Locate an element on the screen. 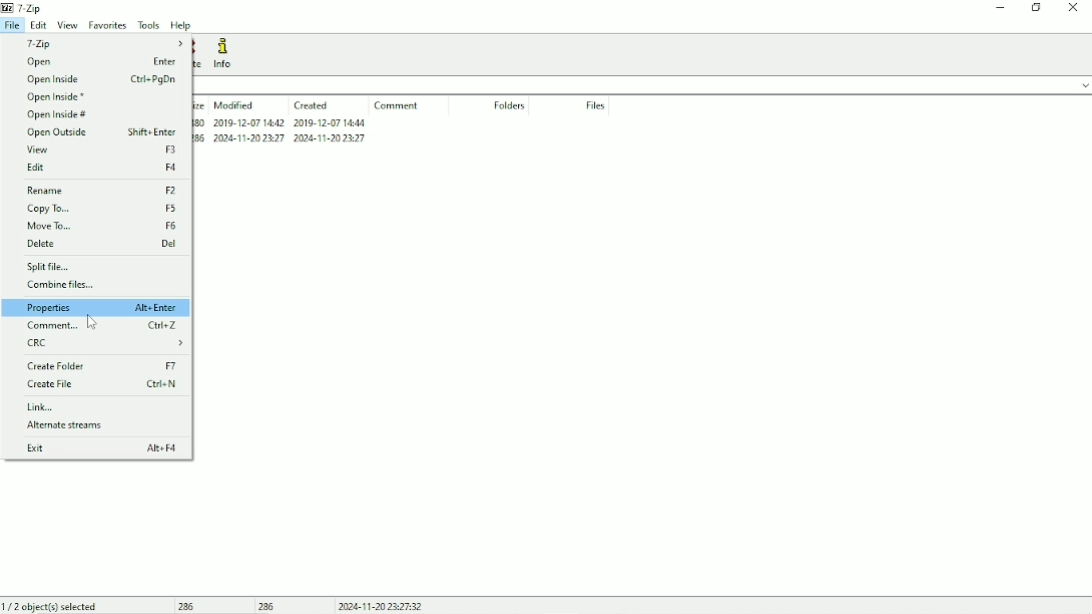 Image resolution: width=1092 pixels, height=614 pixels. Move To is located at coordinates (102, 226).